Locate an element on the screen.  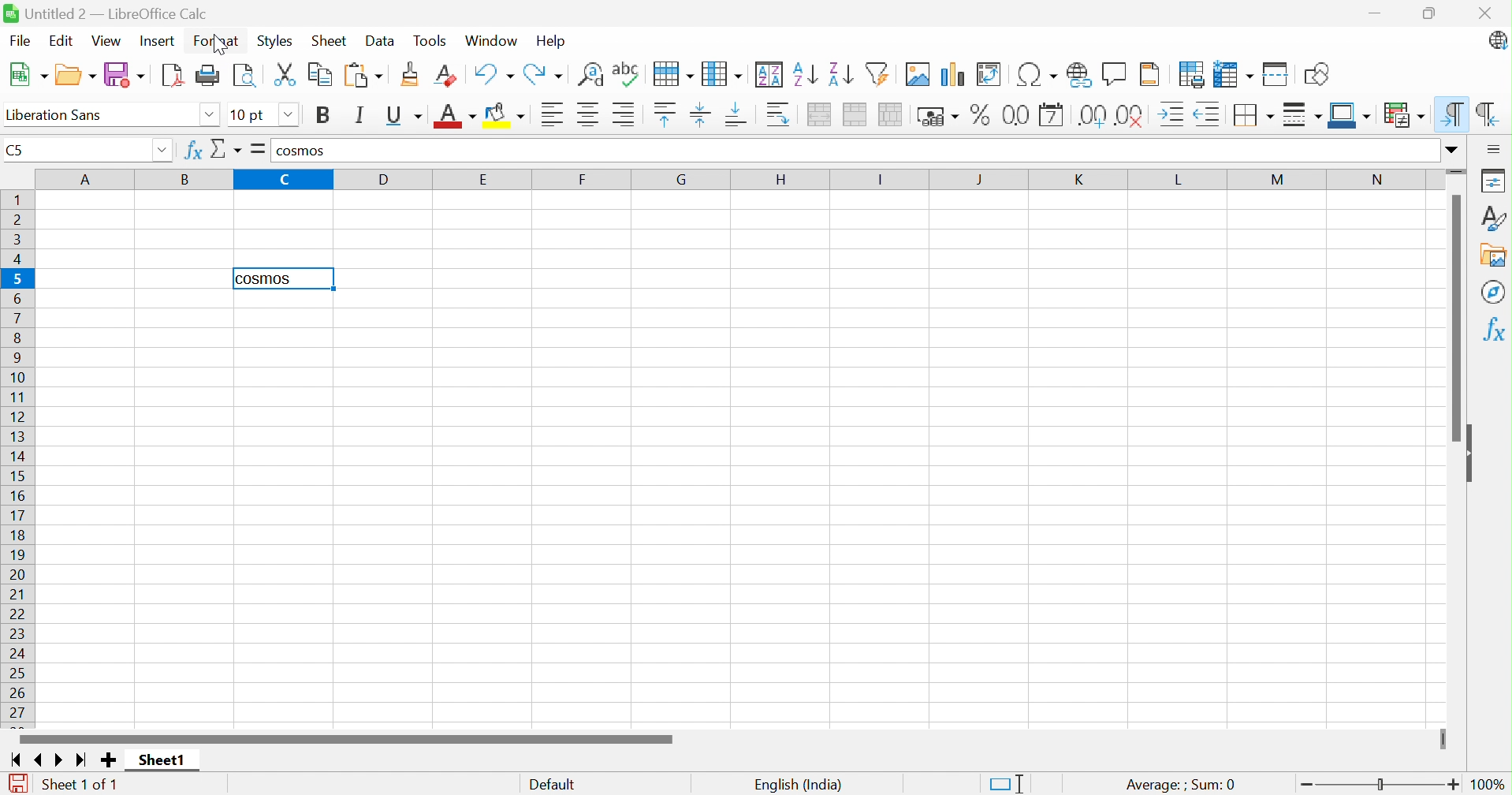
Sort is located at coordinates (770, 74).